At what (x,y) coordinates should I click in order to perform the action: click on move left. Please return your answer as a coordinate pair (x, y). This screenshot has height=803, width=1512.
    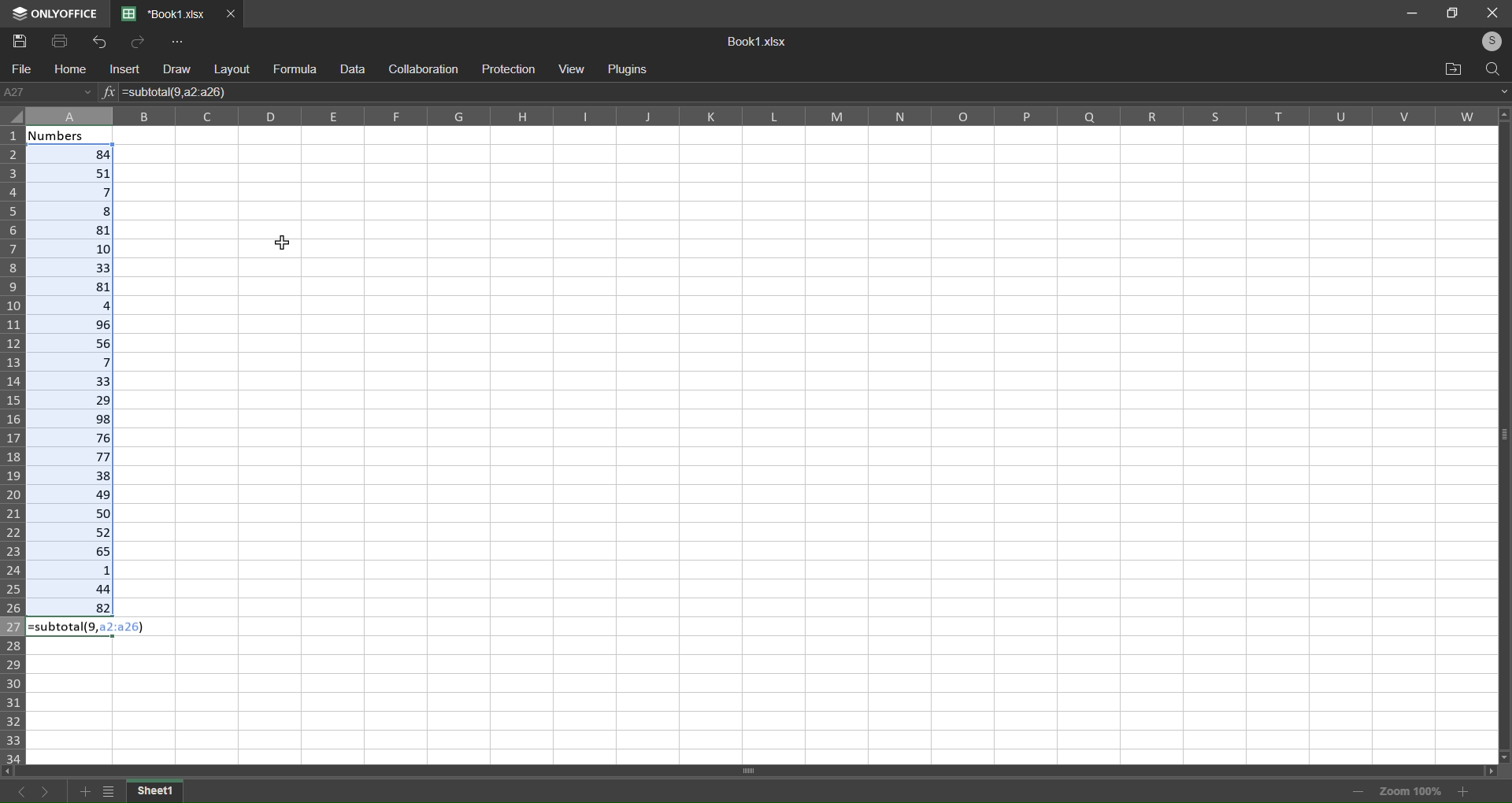
    Looking at the image, I should click on (13, 769).